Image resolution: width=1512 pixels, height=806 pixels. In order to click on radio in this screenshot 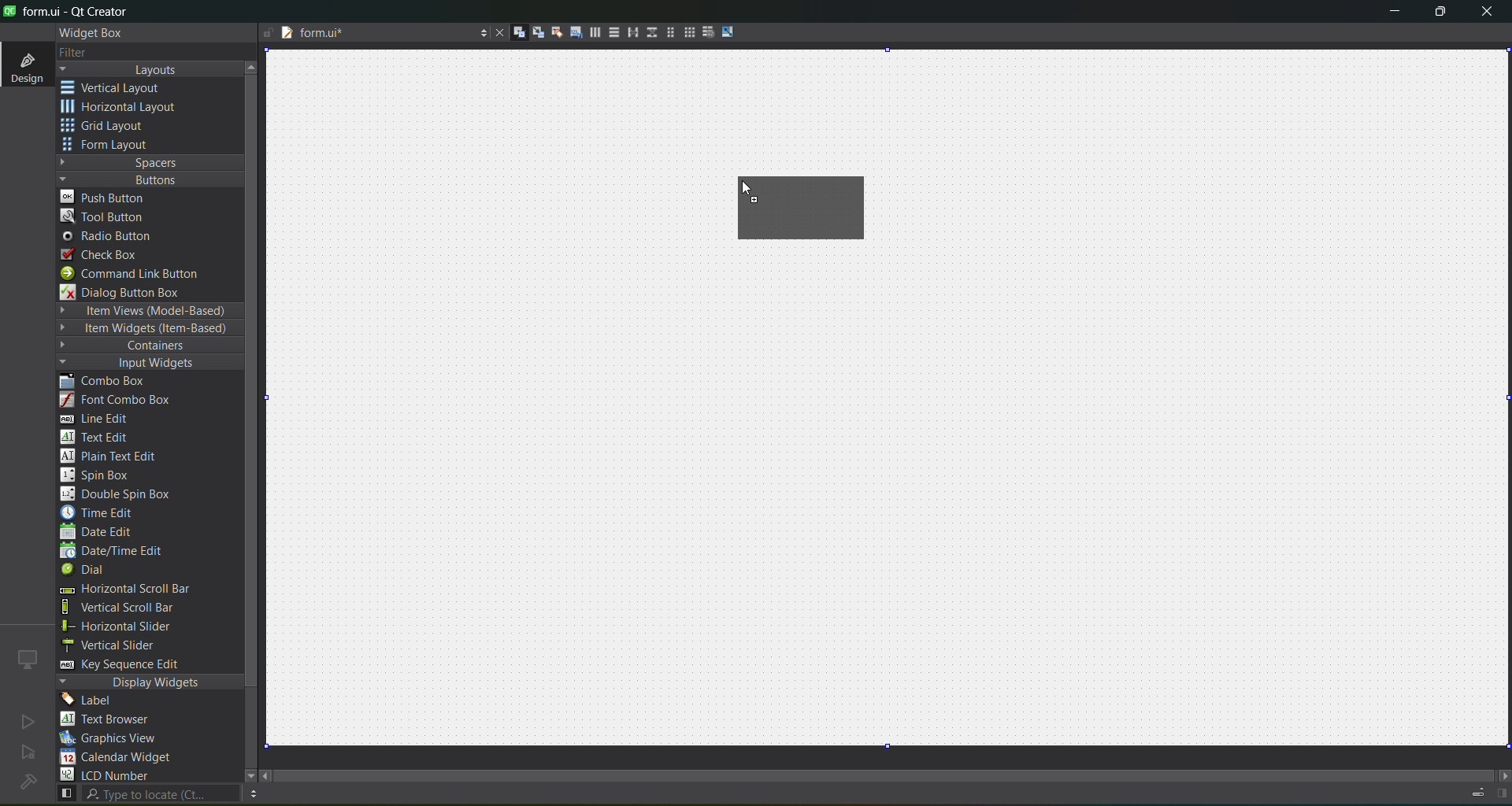, I will do `click(112, 237)`.